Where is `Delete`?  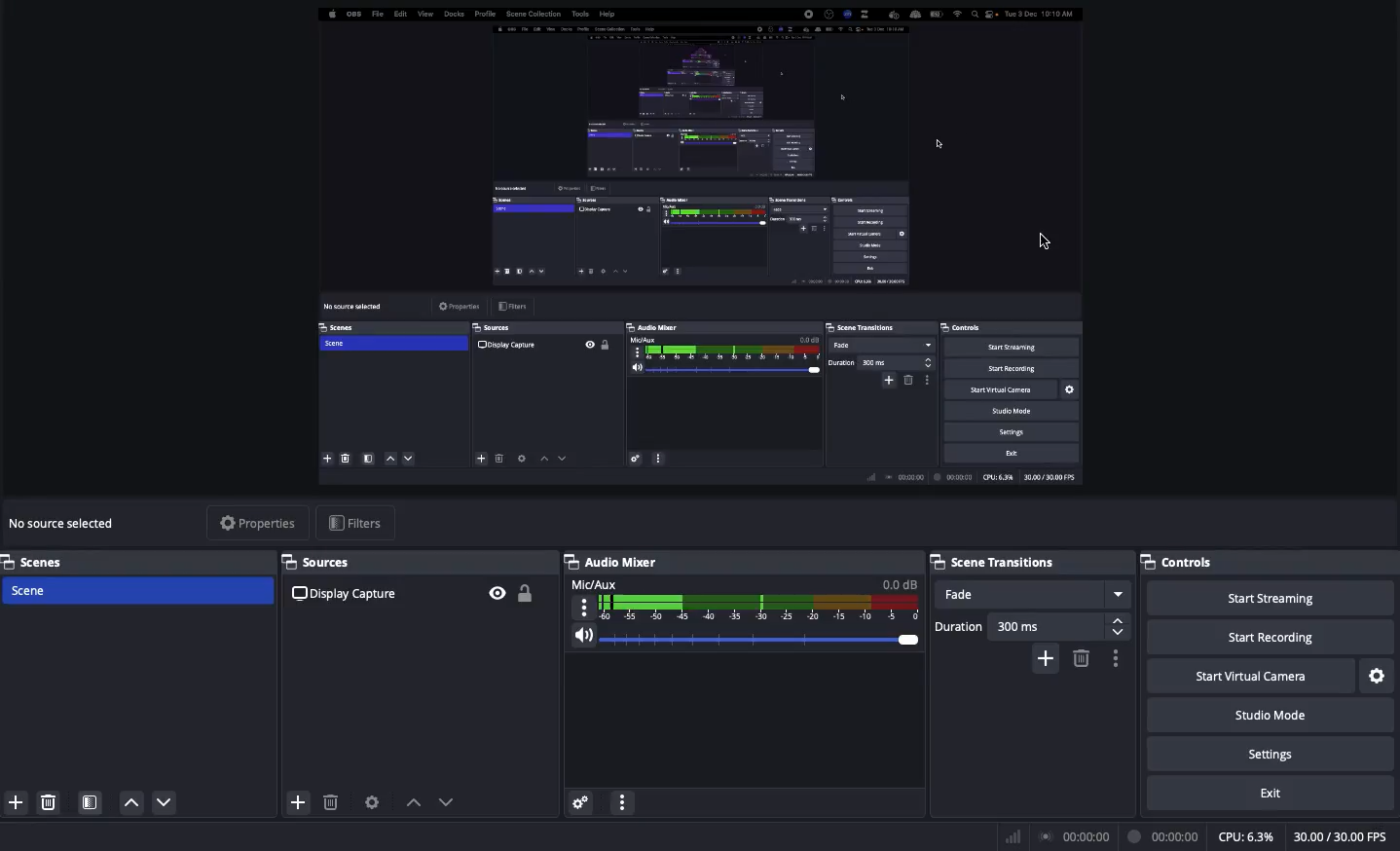 Delete is located at coordinates (47, 802).